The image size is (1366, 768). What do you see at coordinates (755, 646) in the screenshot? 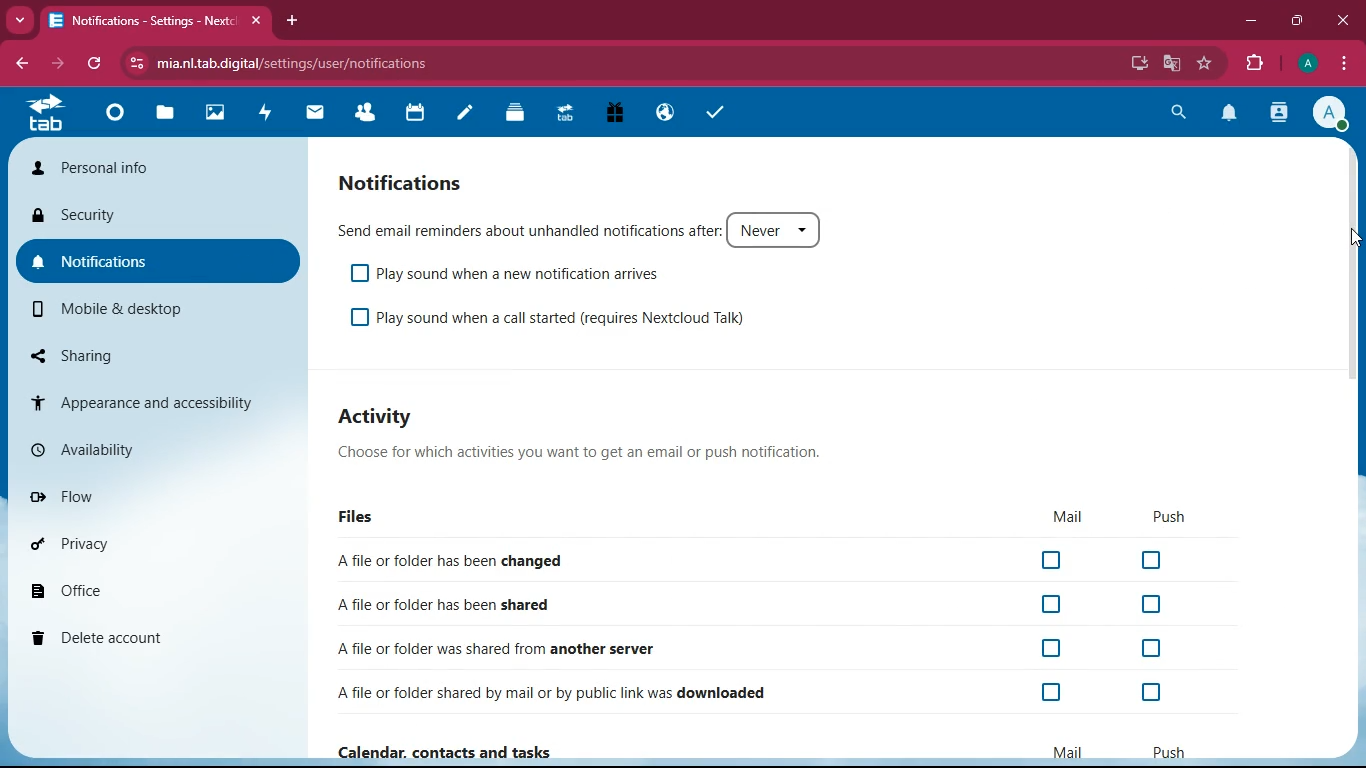
I see `A file or folder was shared from another server` at bounding box center [755, 646].